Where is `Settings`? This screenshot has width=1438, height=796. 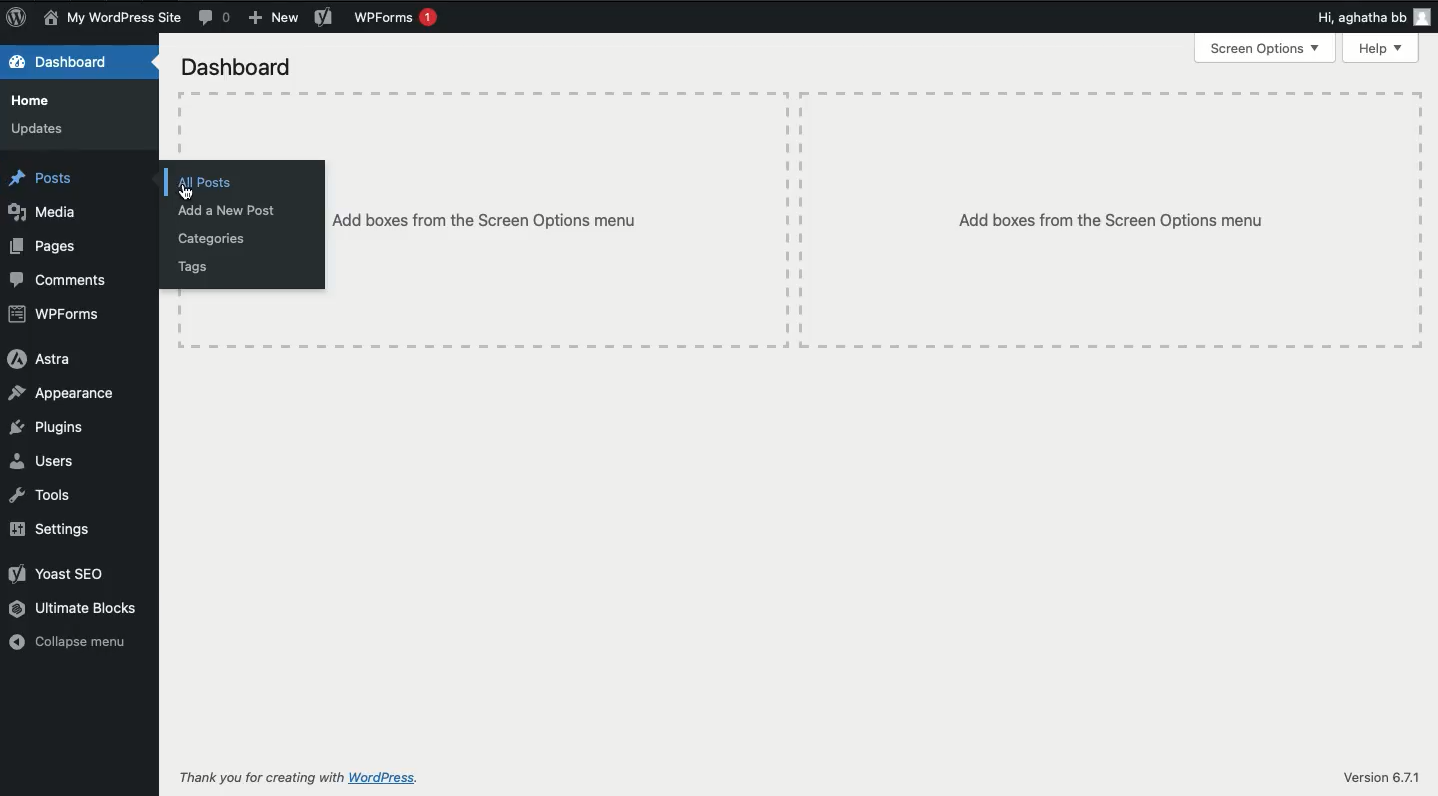 Settings is located at coordinates (51, 528).